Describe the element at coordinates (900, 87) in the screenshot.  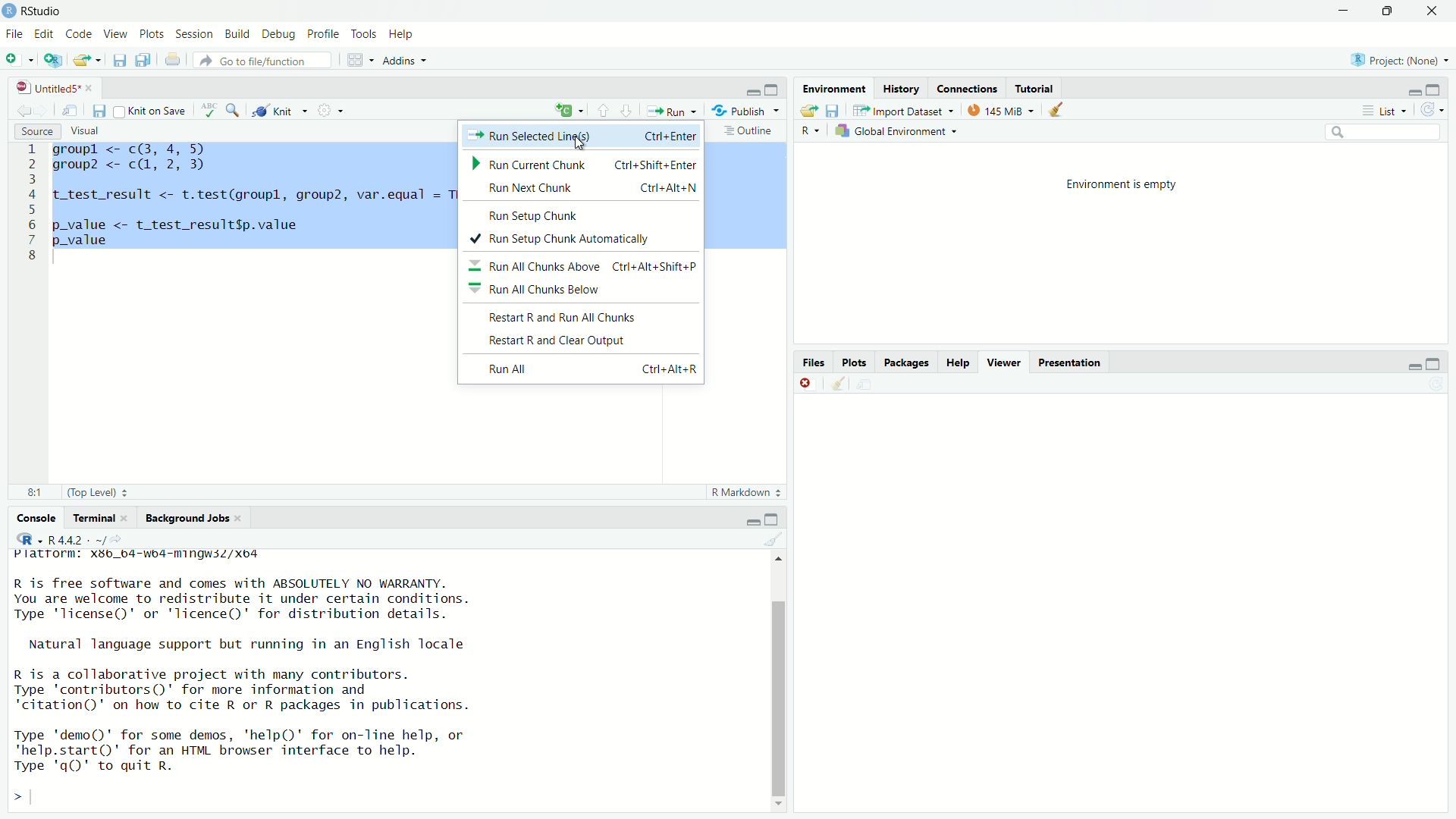
I see `History` at that location.